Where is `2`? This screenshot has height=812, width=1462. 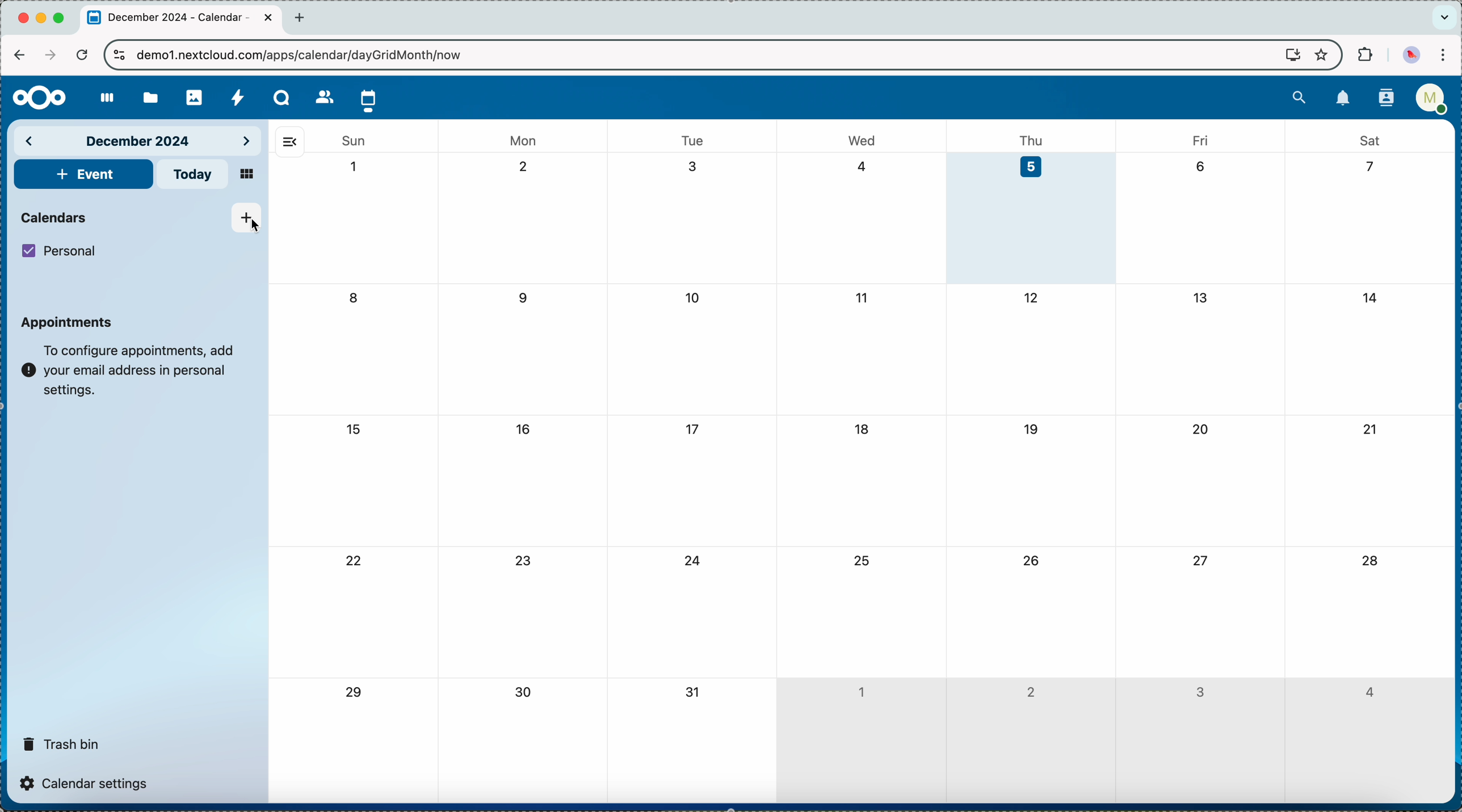
2 is located at coordinates (1031, 691).